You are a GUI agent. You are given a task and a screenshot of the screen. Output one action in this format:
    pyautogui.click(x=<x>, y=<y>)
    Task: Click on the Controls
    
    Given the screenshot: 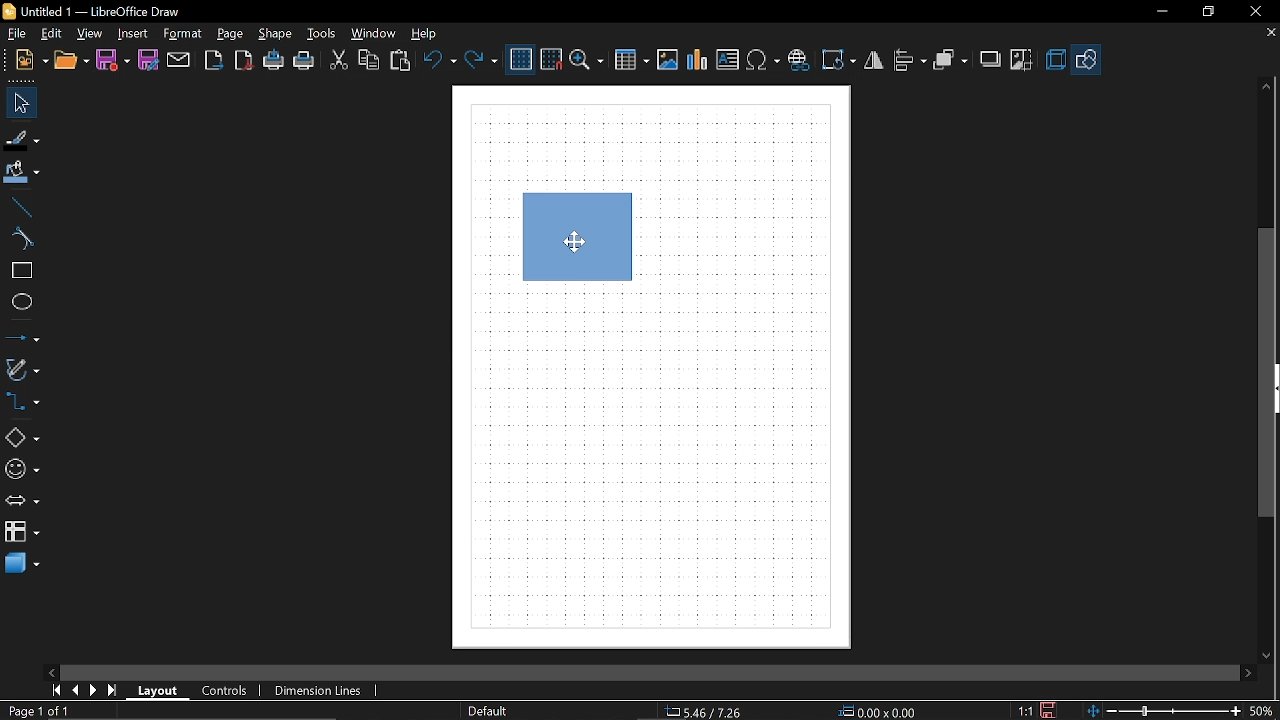 What is the action you would take?
    pyautogui.click(x=226, y=691)
    